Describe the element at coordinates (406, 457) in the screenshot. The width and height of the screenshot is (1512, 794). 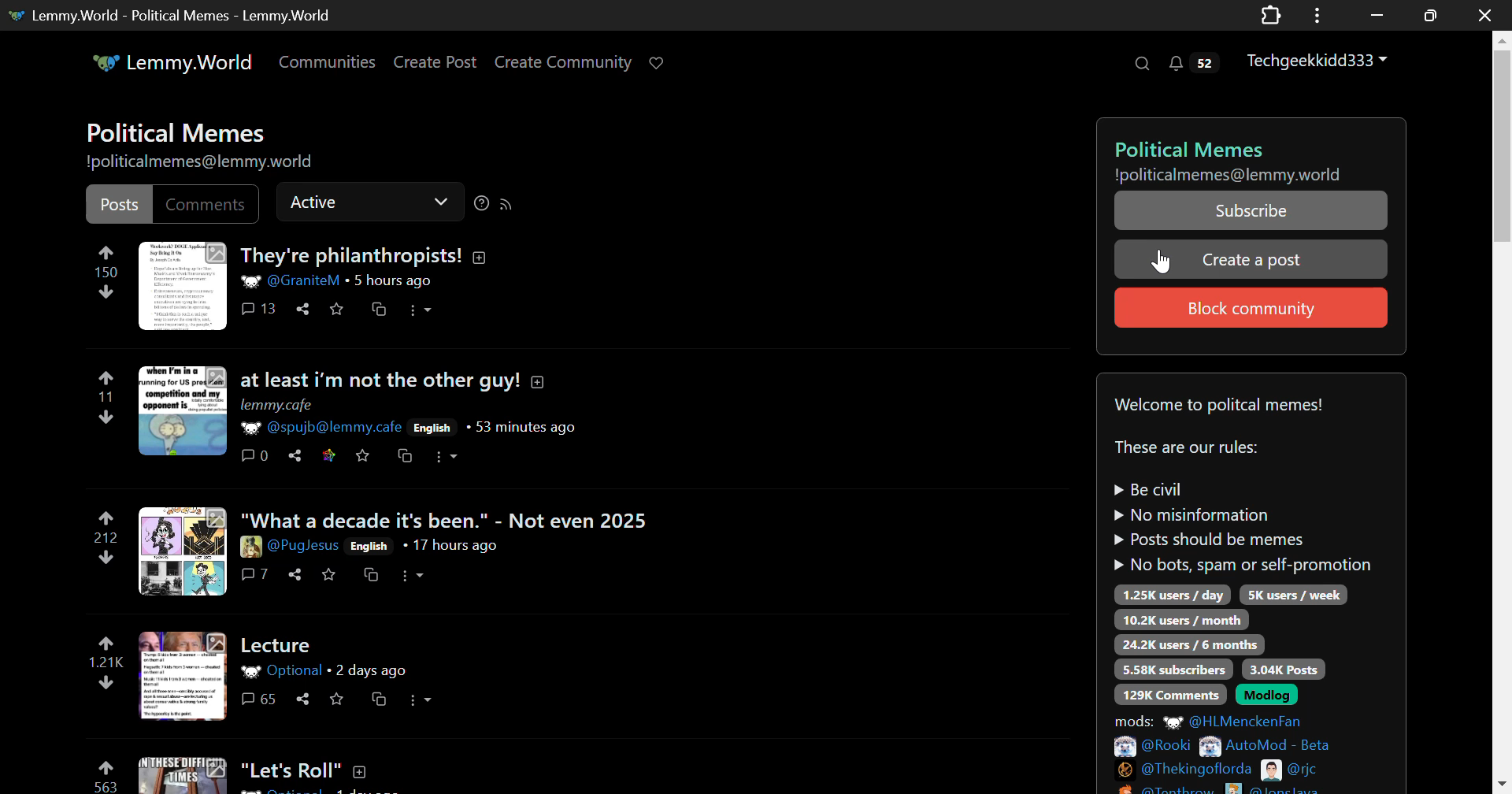
I see `Cross-post` at that location.